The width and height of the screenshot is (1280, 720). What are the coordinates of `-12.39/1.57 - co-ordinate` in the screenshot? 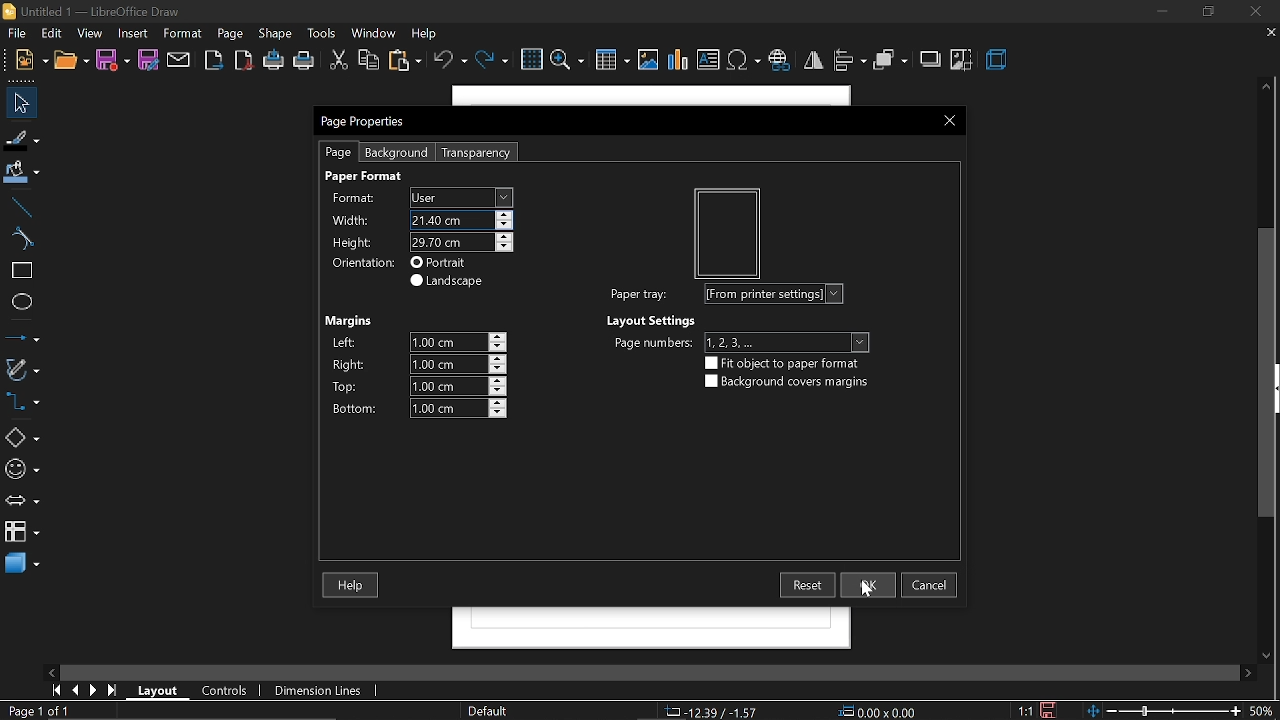 It's located at (714, 710).